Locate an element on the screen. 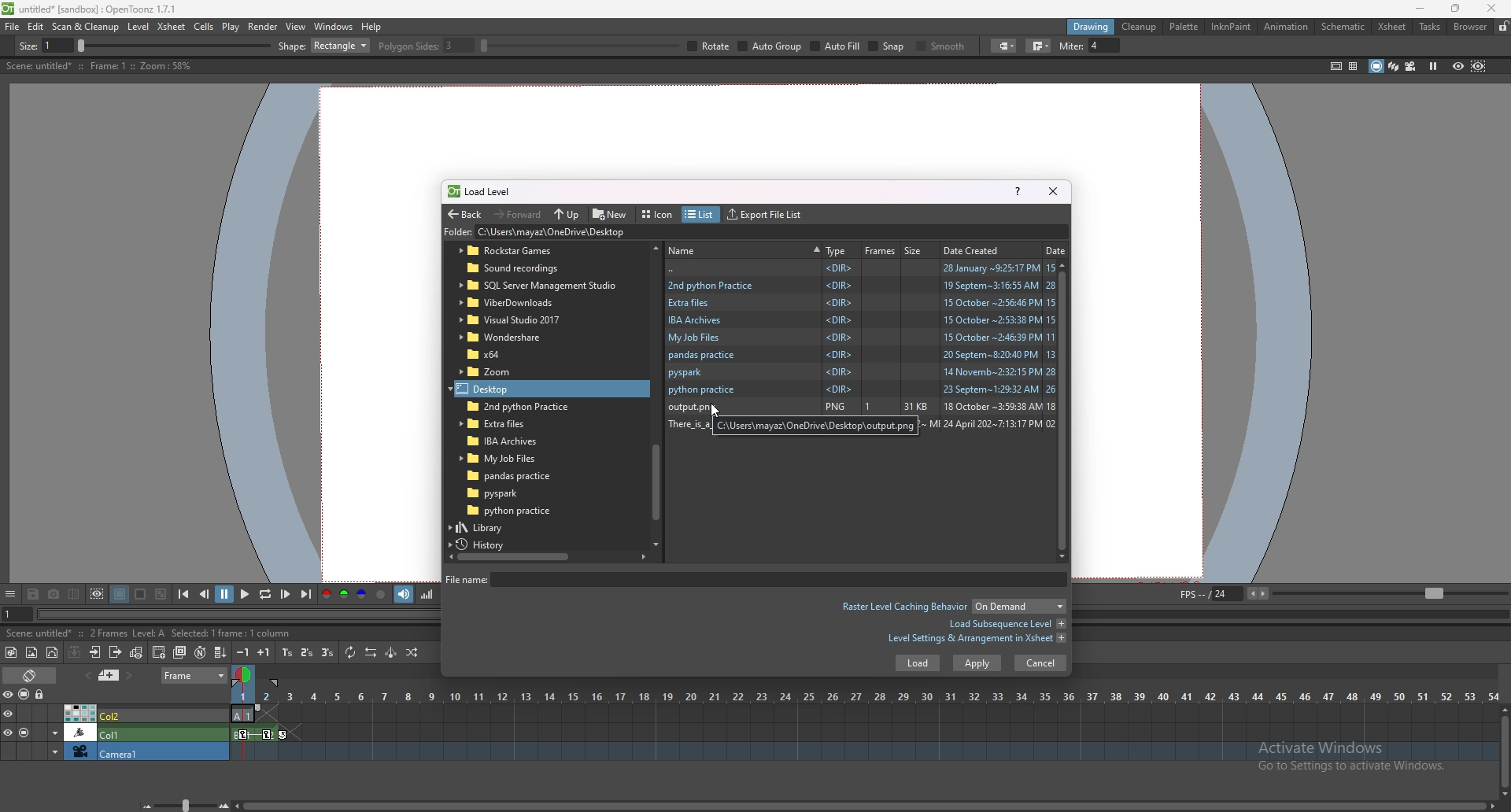  folder is located at coordinates (538, 286).